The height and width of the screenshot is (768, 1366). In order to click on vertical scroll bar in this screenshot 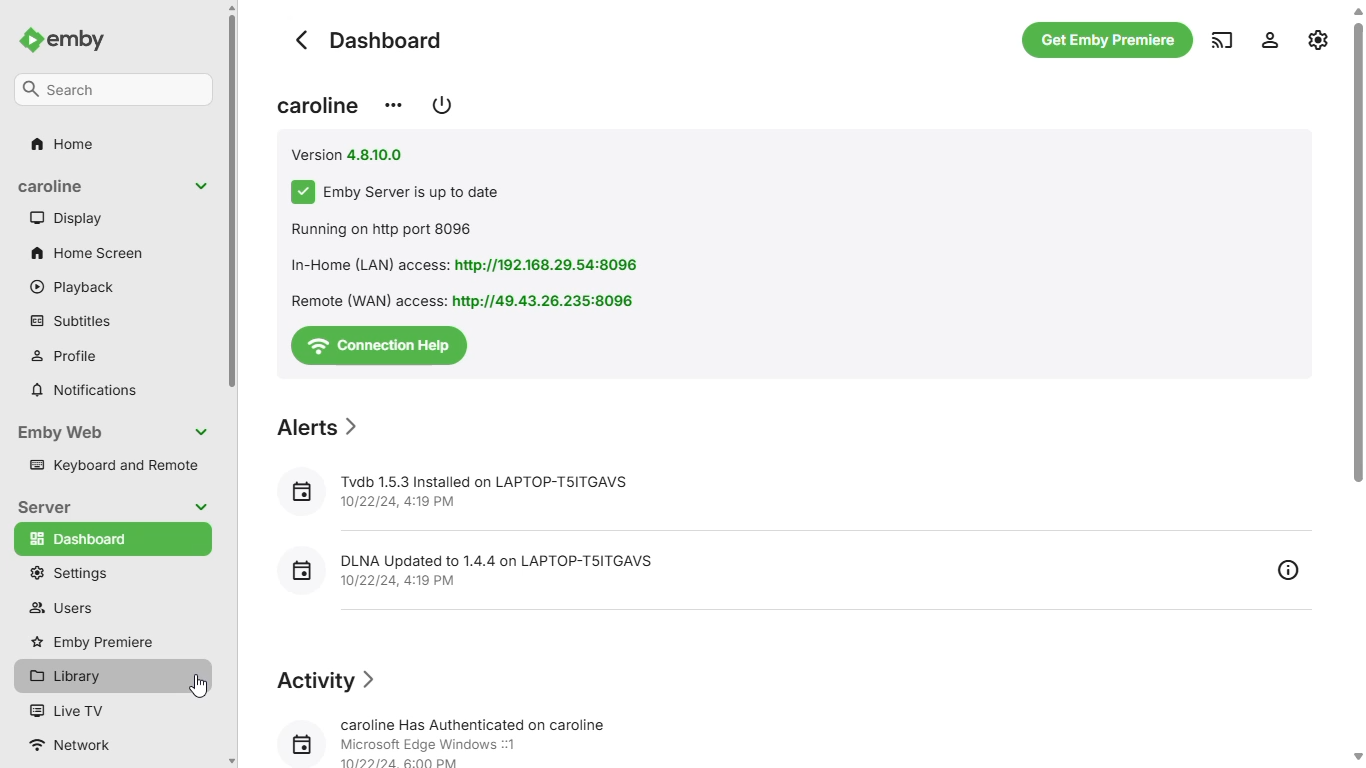, I will do `click(1357, 386)`.